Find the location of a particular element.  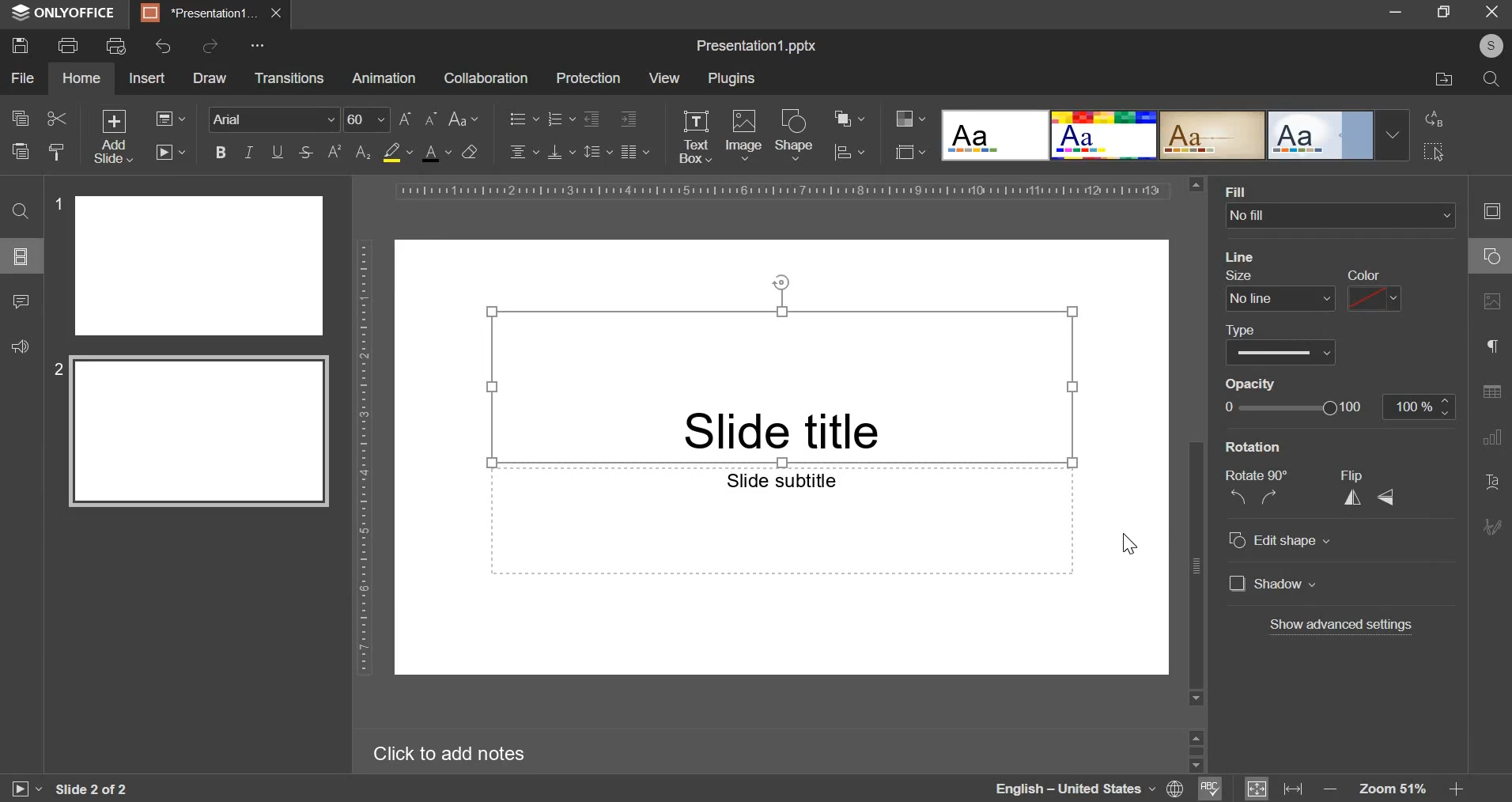

vertical scale is located at coordinates (364, 456).